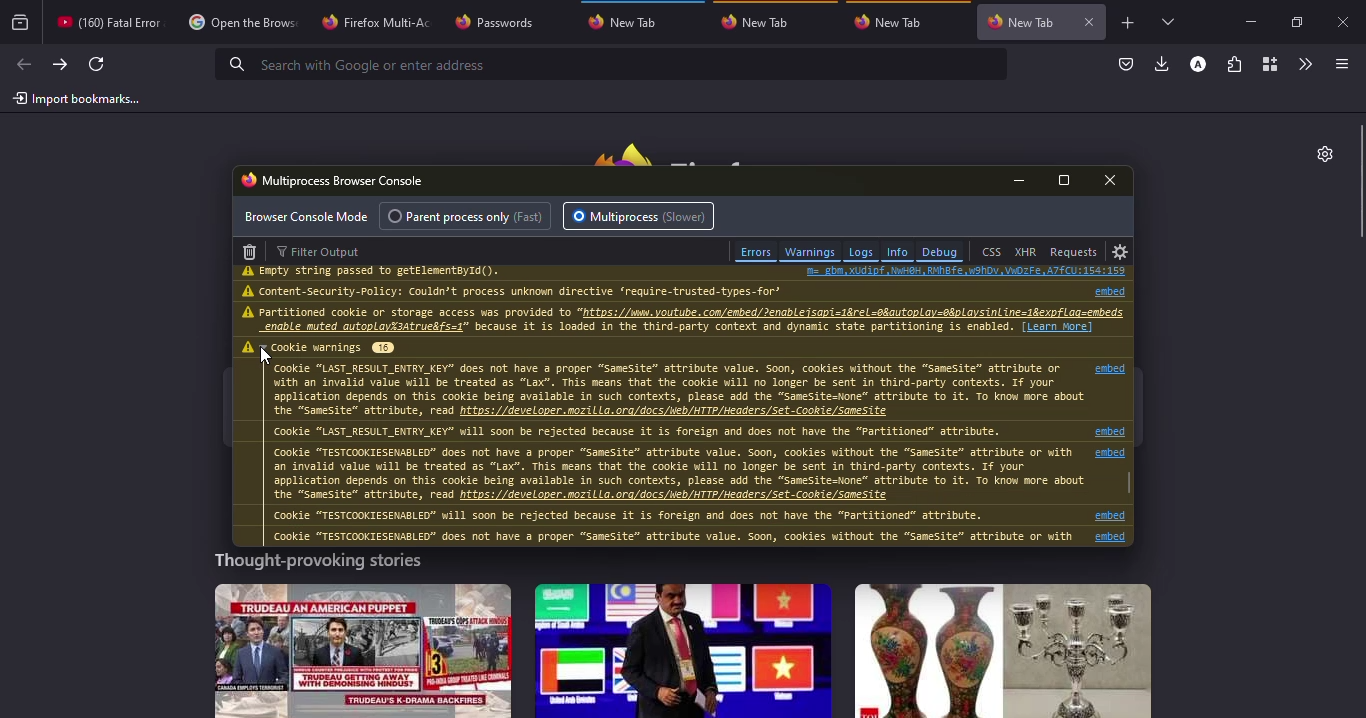 This screenshot has height=718, width=1366. Describe the element at coordinates (266, 356) in the screenshot. I see `cursor` at that location.